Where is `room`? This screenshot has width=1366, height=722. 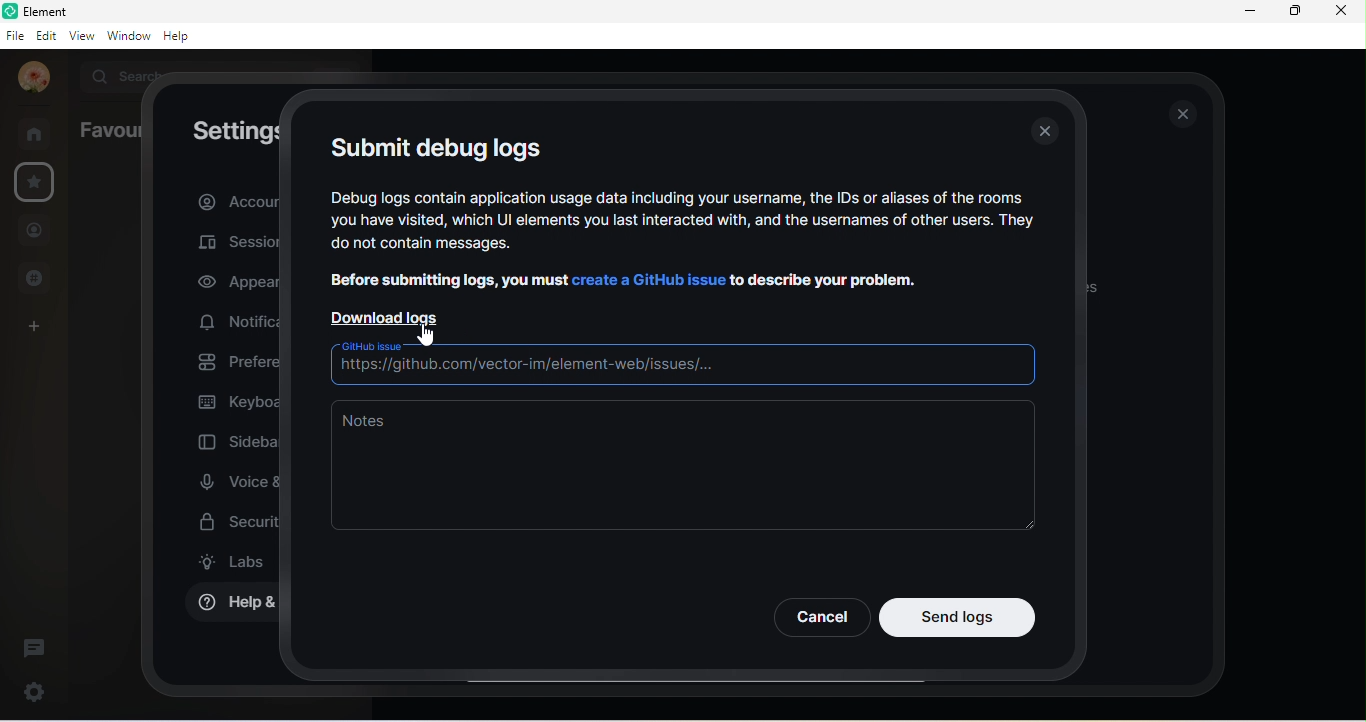
room is located at coordinates (35, 131).